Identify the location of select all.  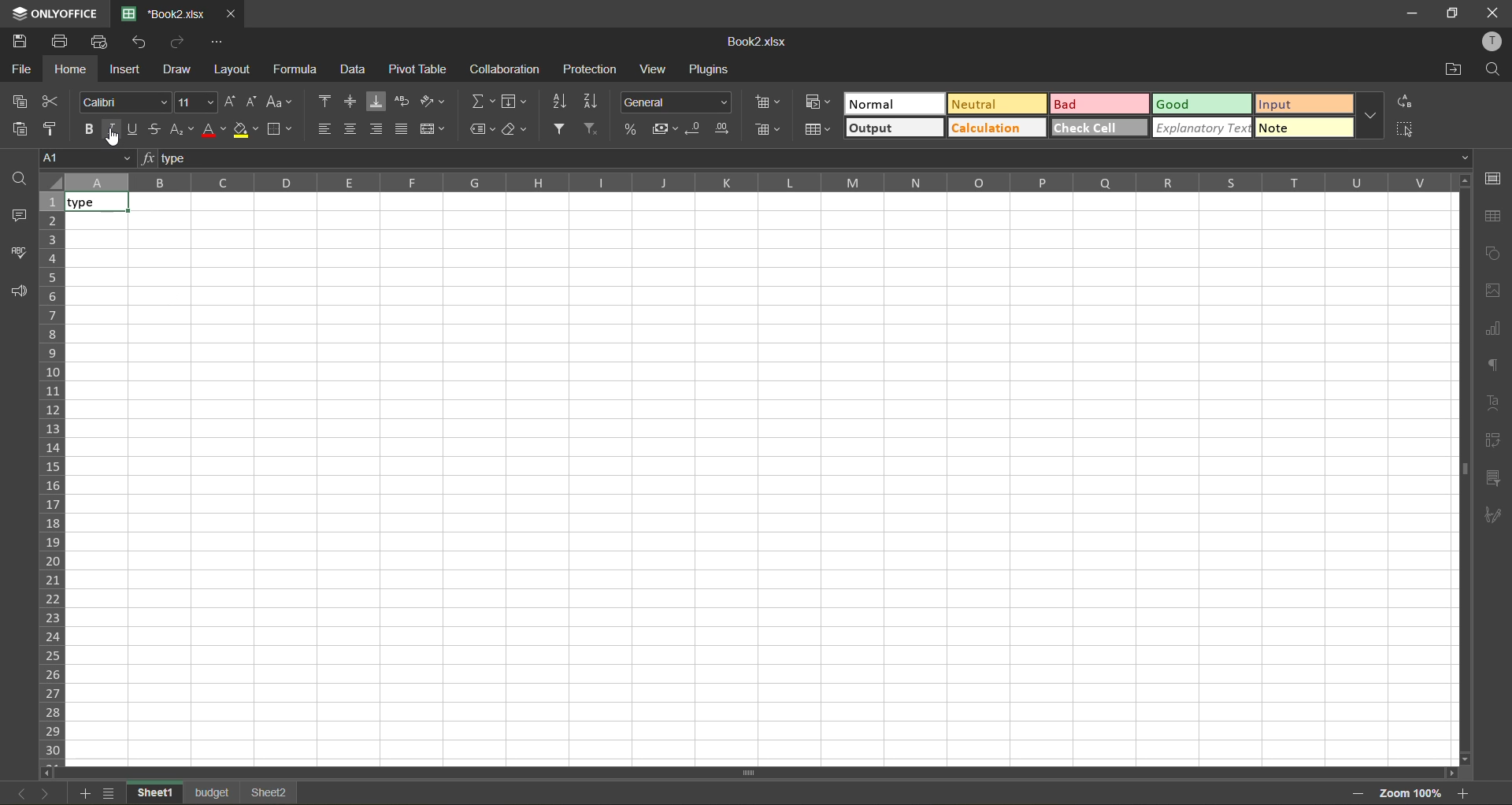
(1407, 129).